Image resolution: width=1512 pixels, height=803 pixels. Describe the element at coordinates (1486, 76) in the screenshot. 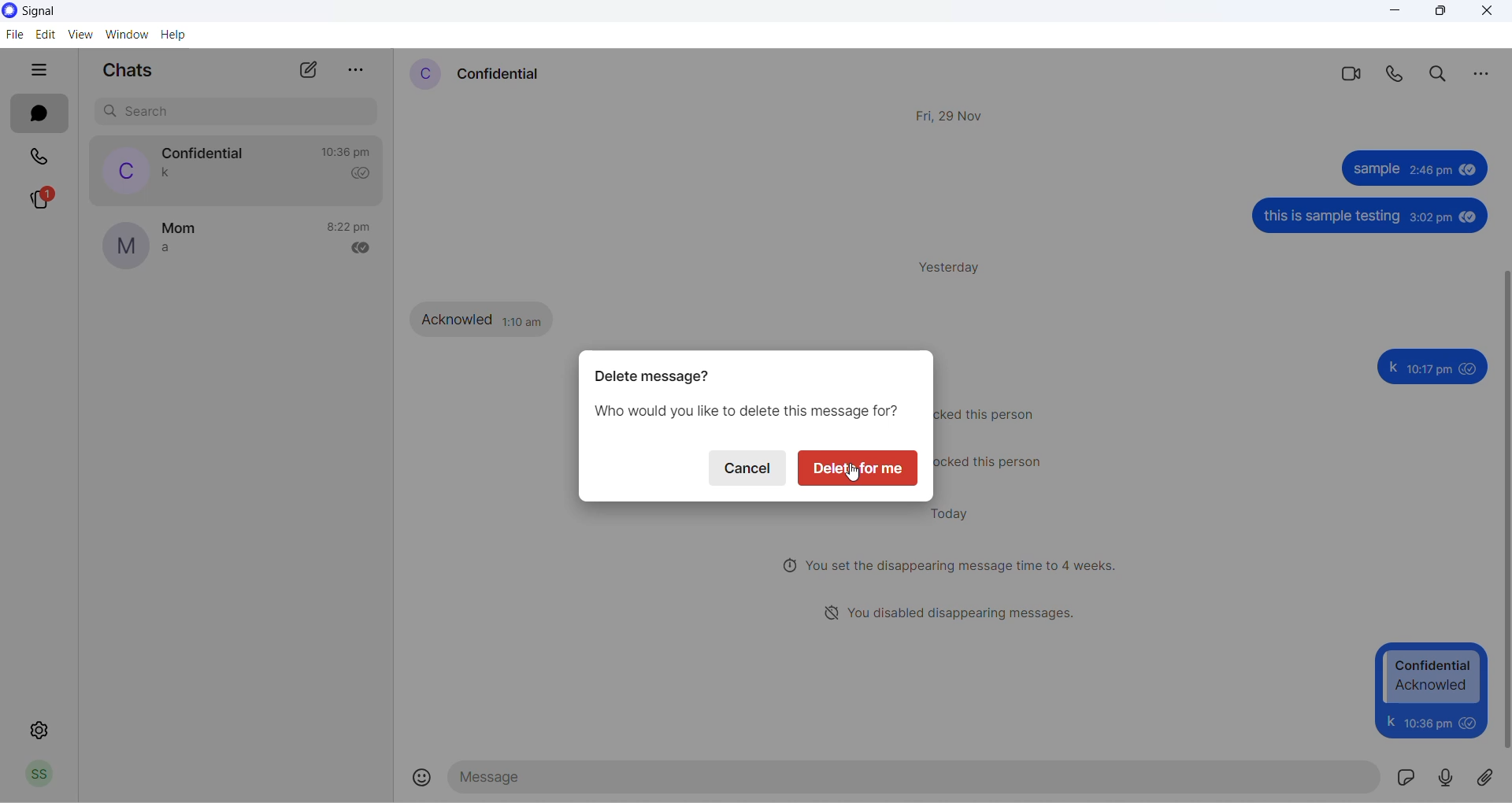

I see `more options` at that location.